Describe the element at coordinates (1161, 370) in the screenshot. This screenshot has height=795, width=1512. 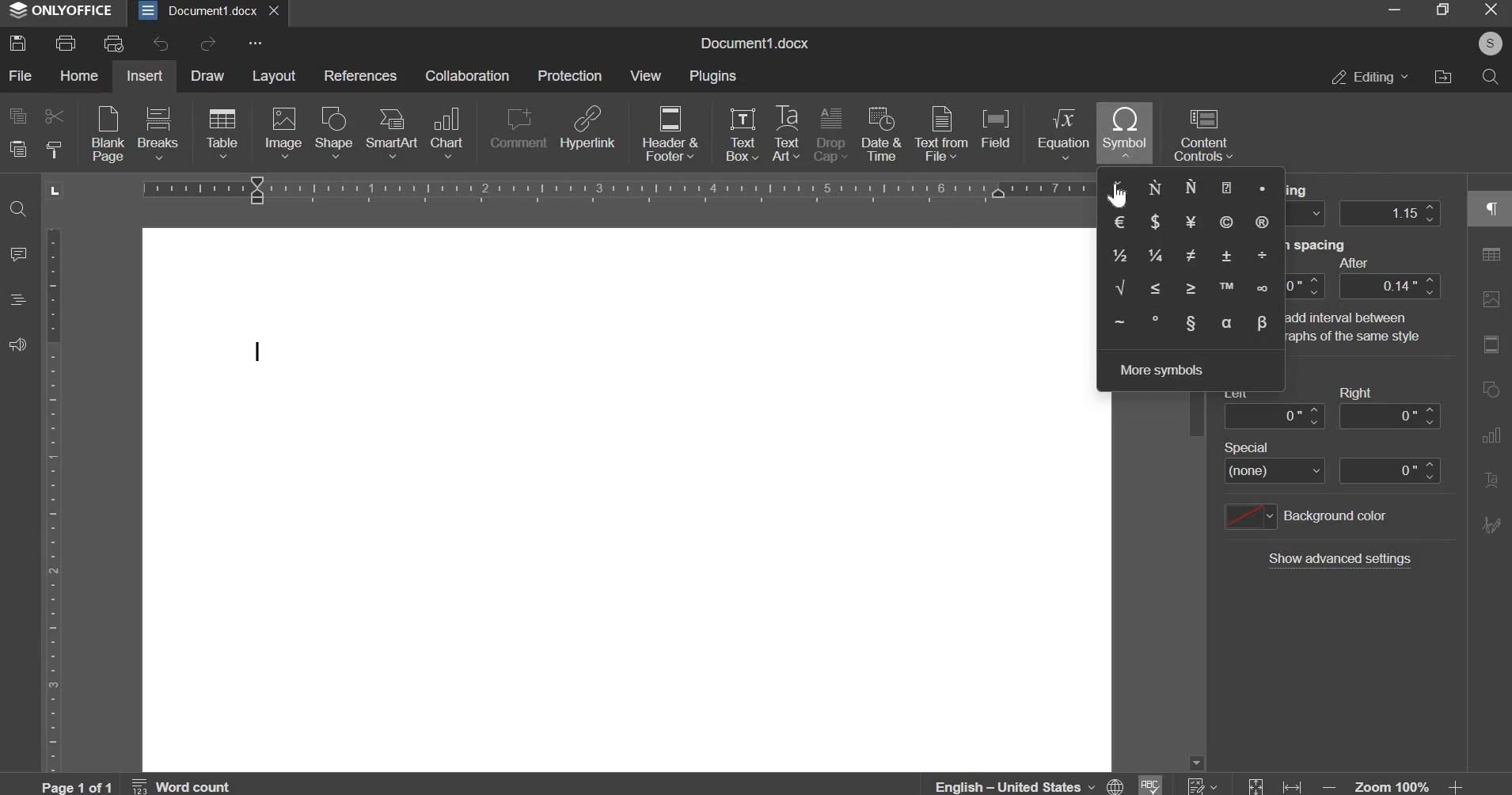
I see `more symbols` at that location.